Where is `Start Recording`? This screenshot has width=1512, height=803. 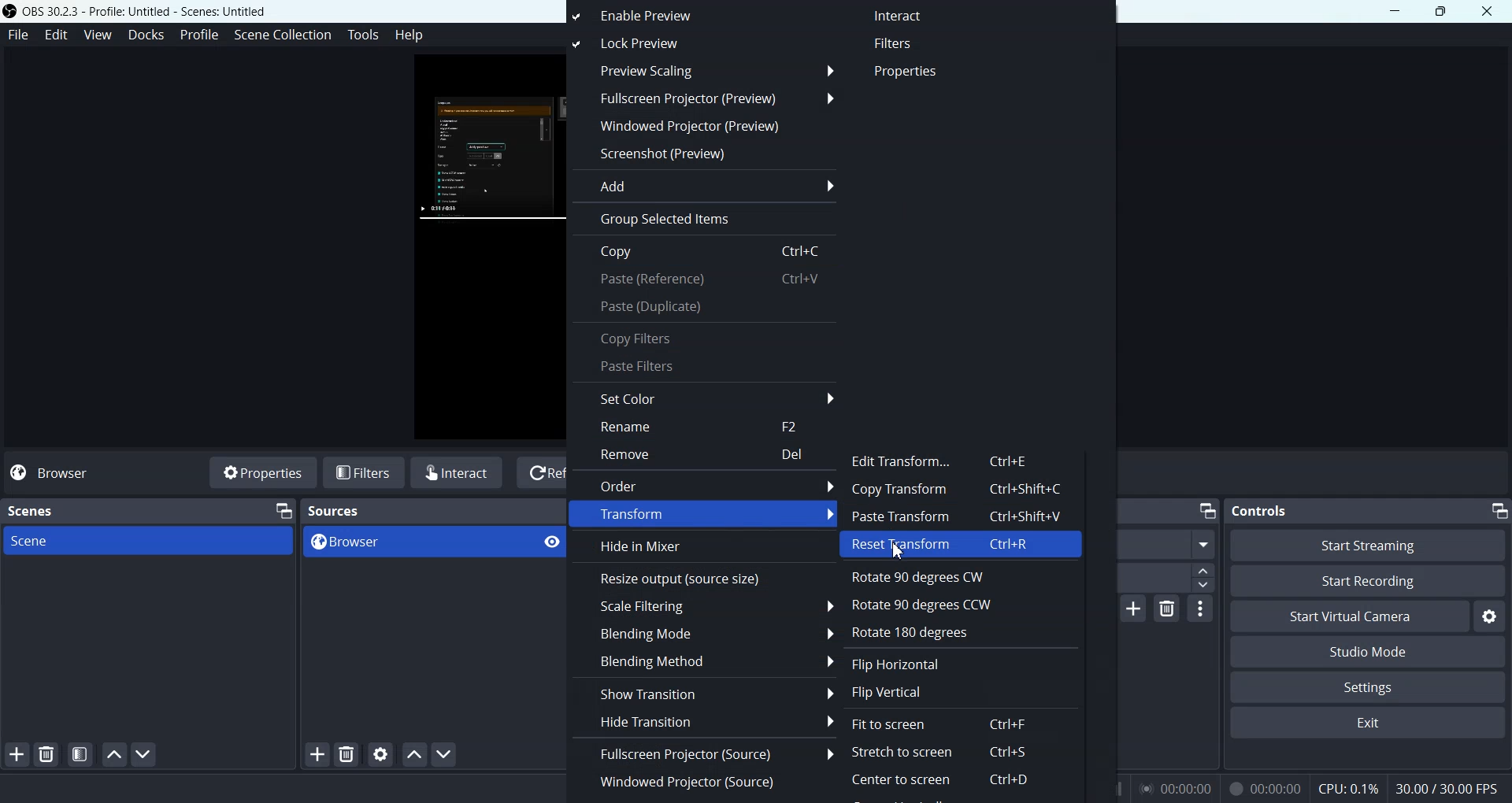
Start Recording is located at coordinates (1366, 582).